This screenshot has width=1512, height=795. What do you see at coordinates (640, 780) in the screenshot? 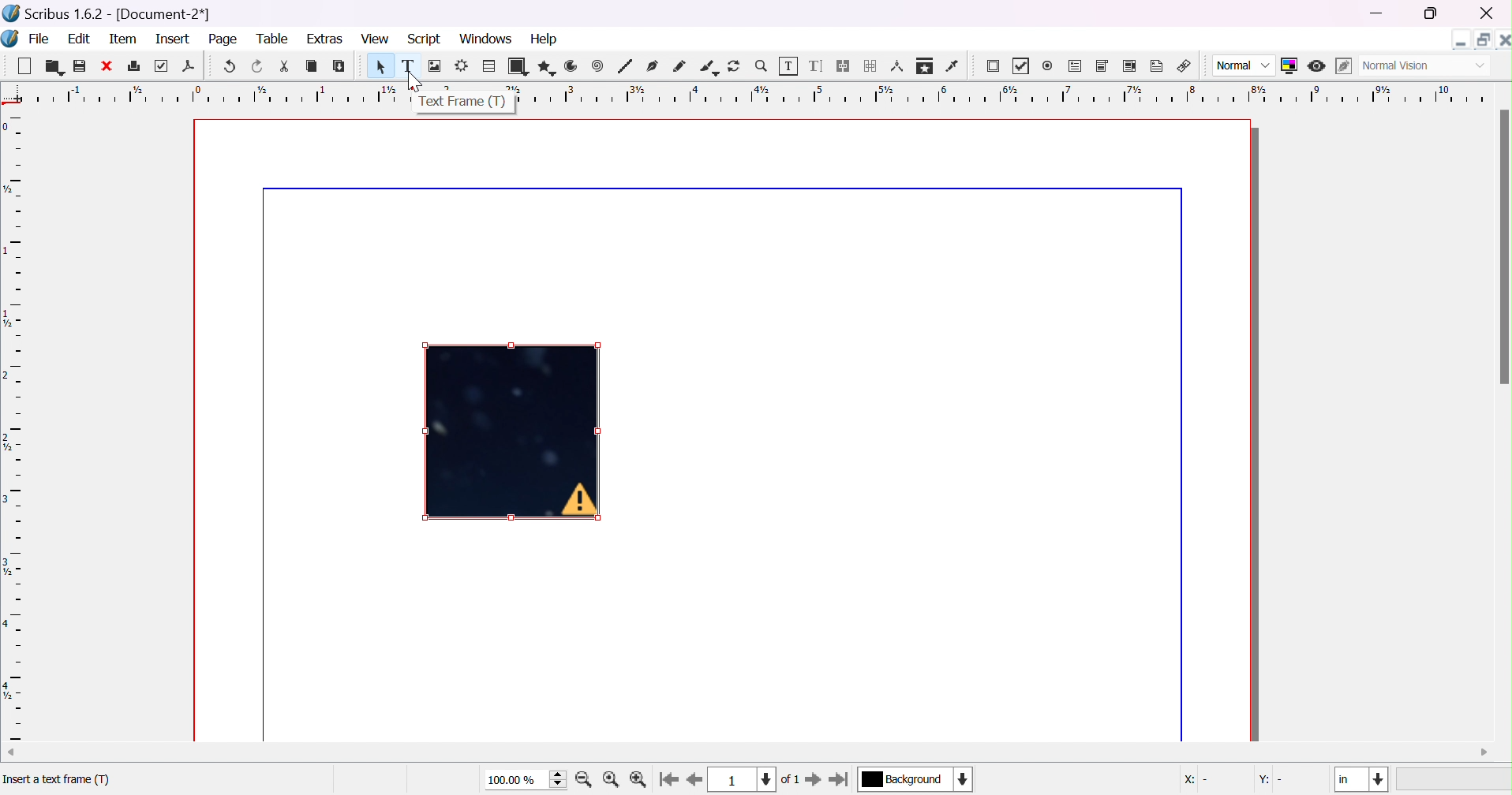
I see `zoom out` at bounding box center [640, 780].